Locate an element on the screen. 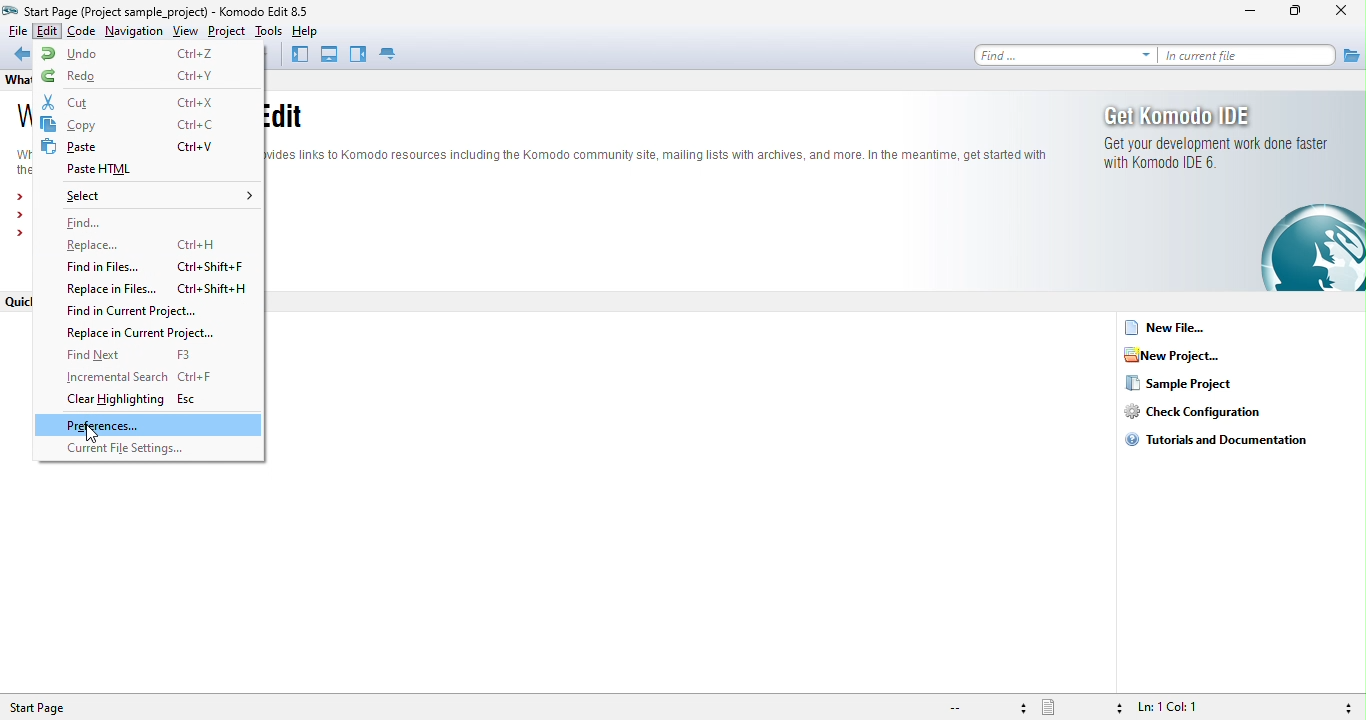 This screenshot has width=1366, height=720. minimize is located at coordinates (1255, 12).